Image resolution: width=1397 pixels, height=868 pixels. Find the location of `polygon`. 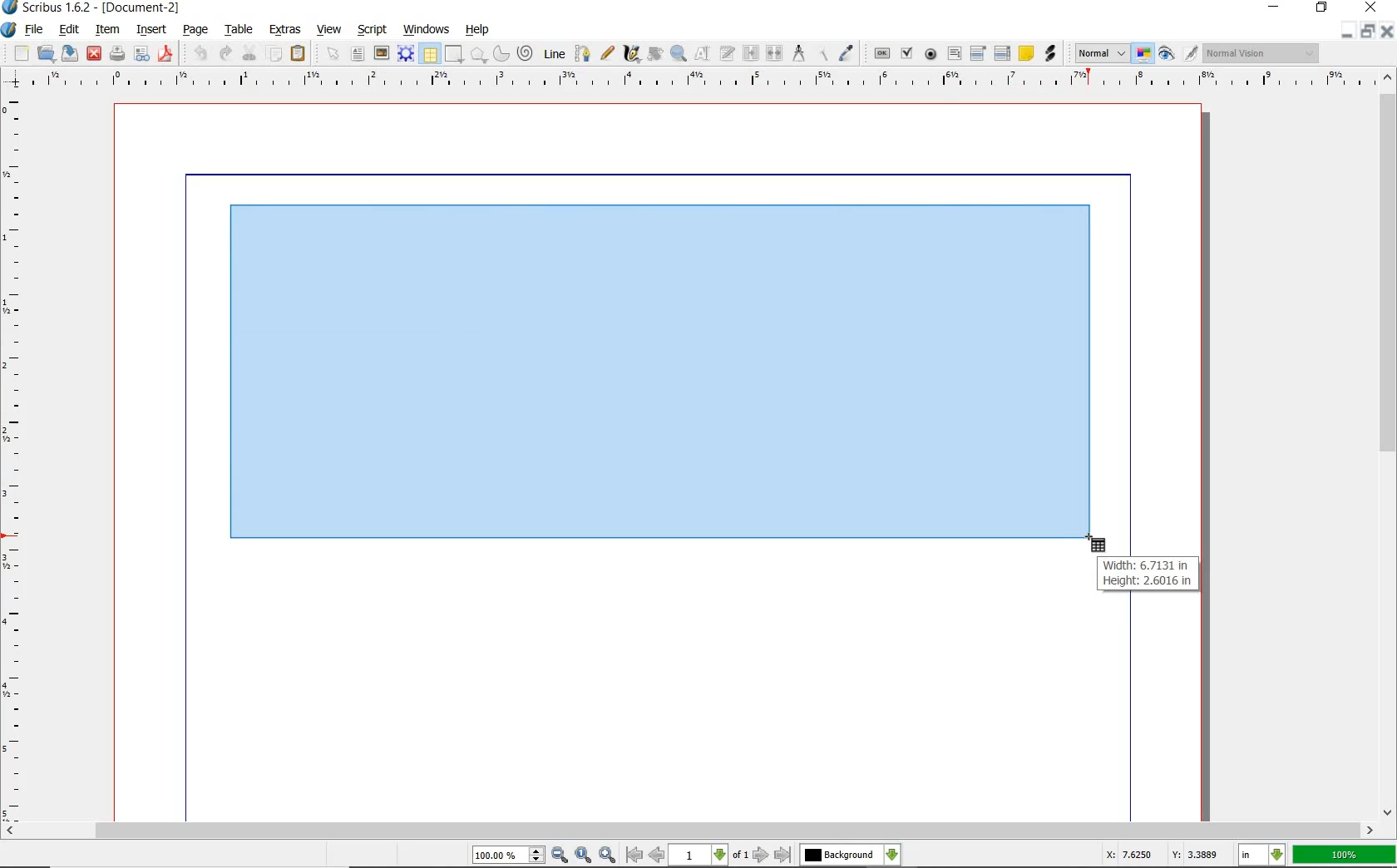

polygon is located at coordinates (478, 55).